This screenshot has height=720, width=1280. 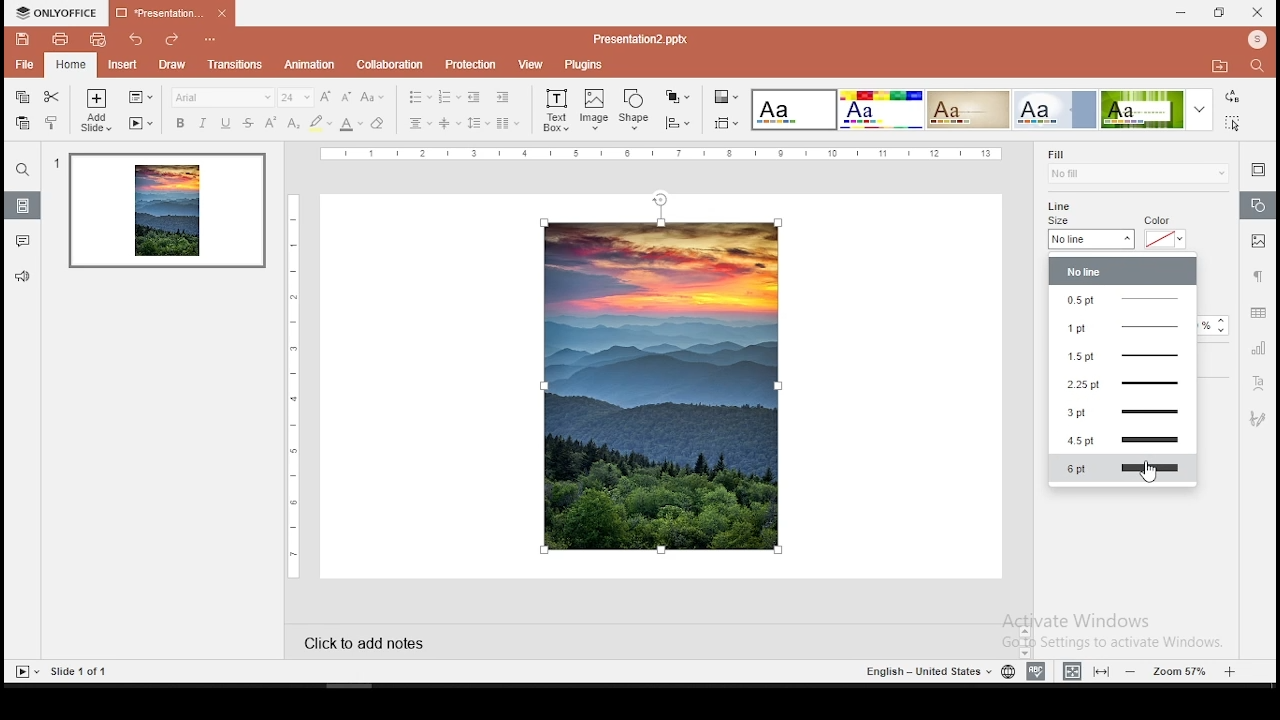 I want to click on decrease indent, so click(x=474, y=97).